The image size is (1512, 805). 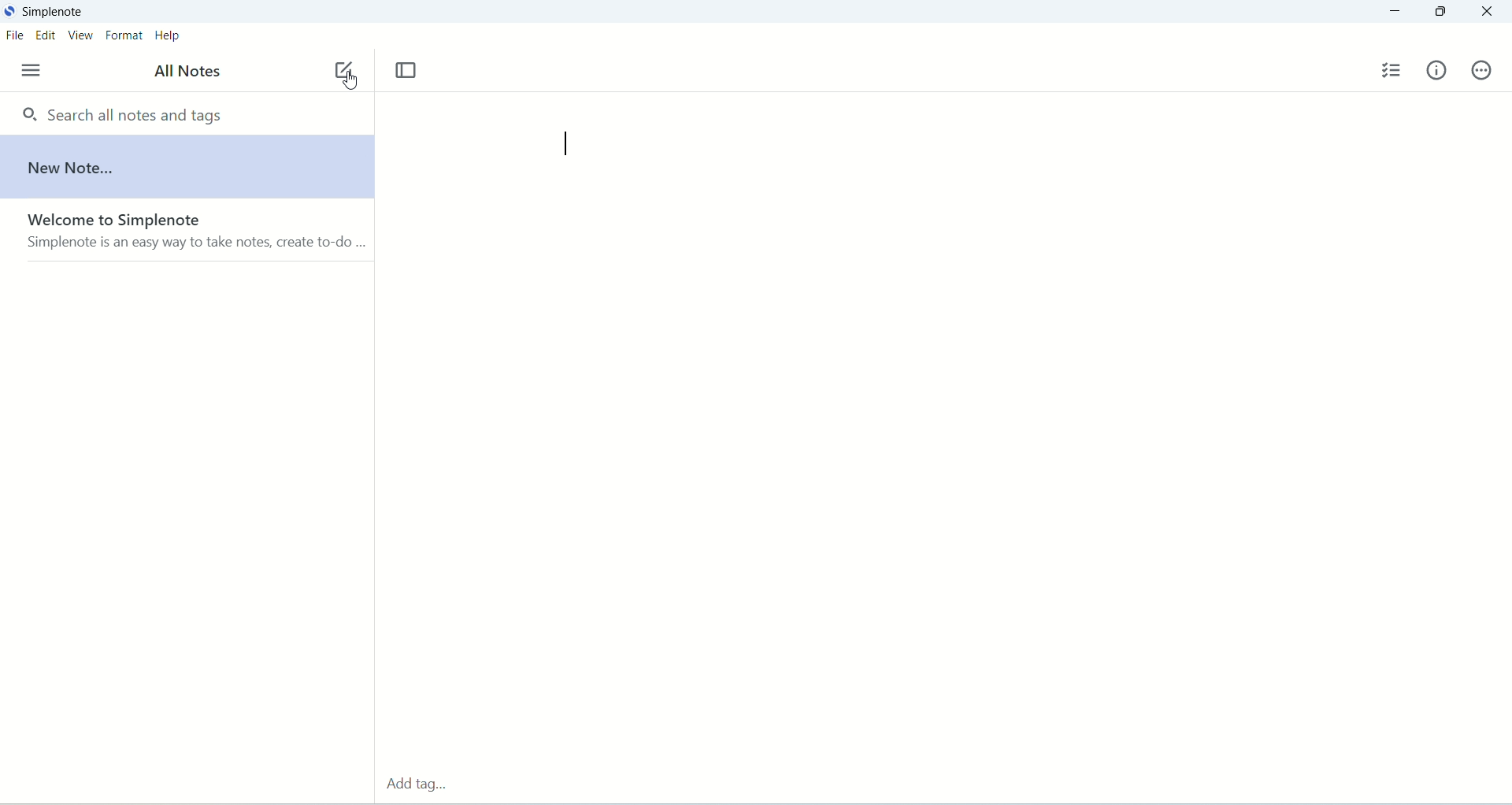 I want to click on info, so click(x=1437, y=73).